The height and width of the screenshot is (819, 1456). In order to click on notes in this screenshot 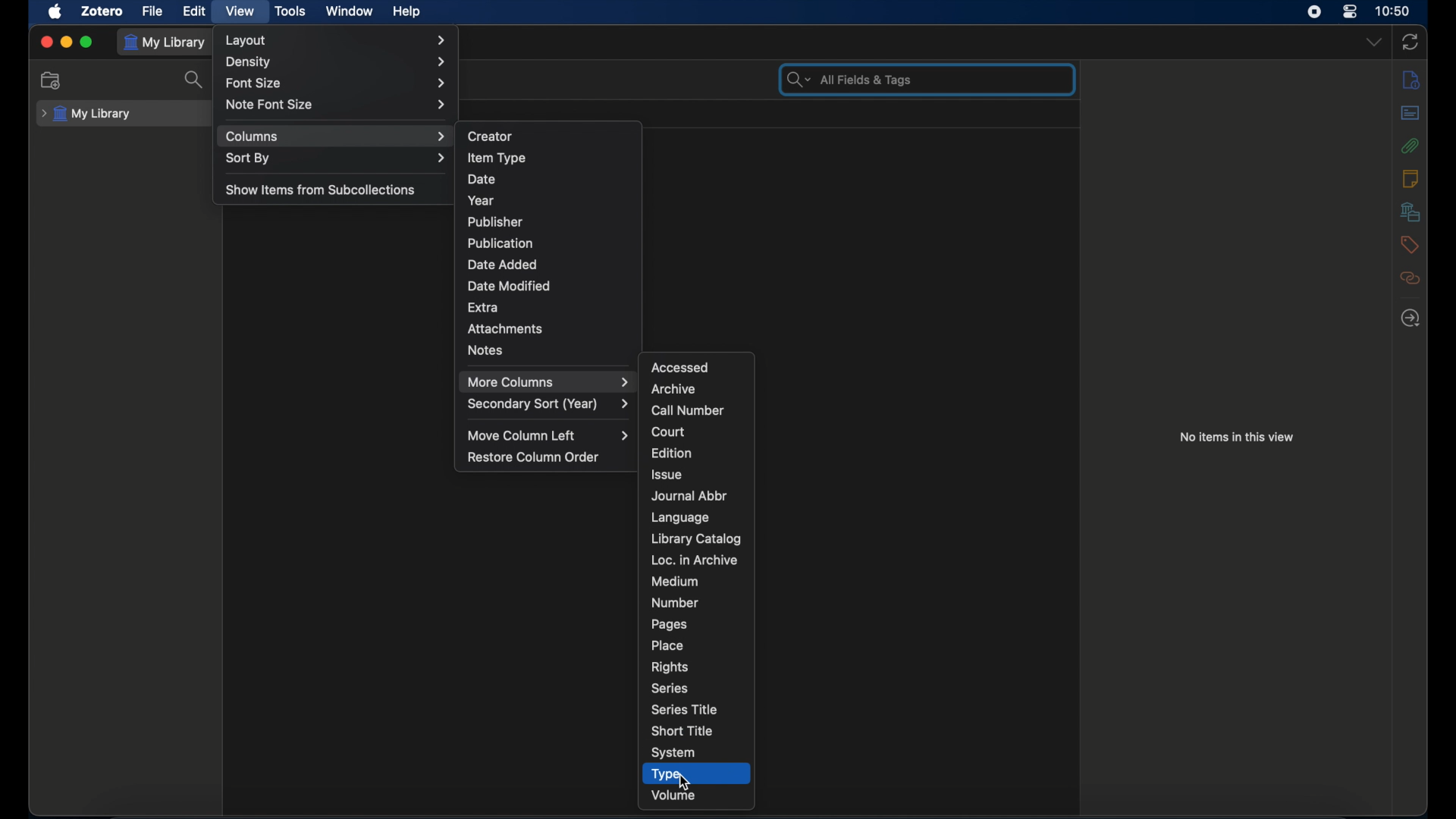, I will do `click(485, 350)`.